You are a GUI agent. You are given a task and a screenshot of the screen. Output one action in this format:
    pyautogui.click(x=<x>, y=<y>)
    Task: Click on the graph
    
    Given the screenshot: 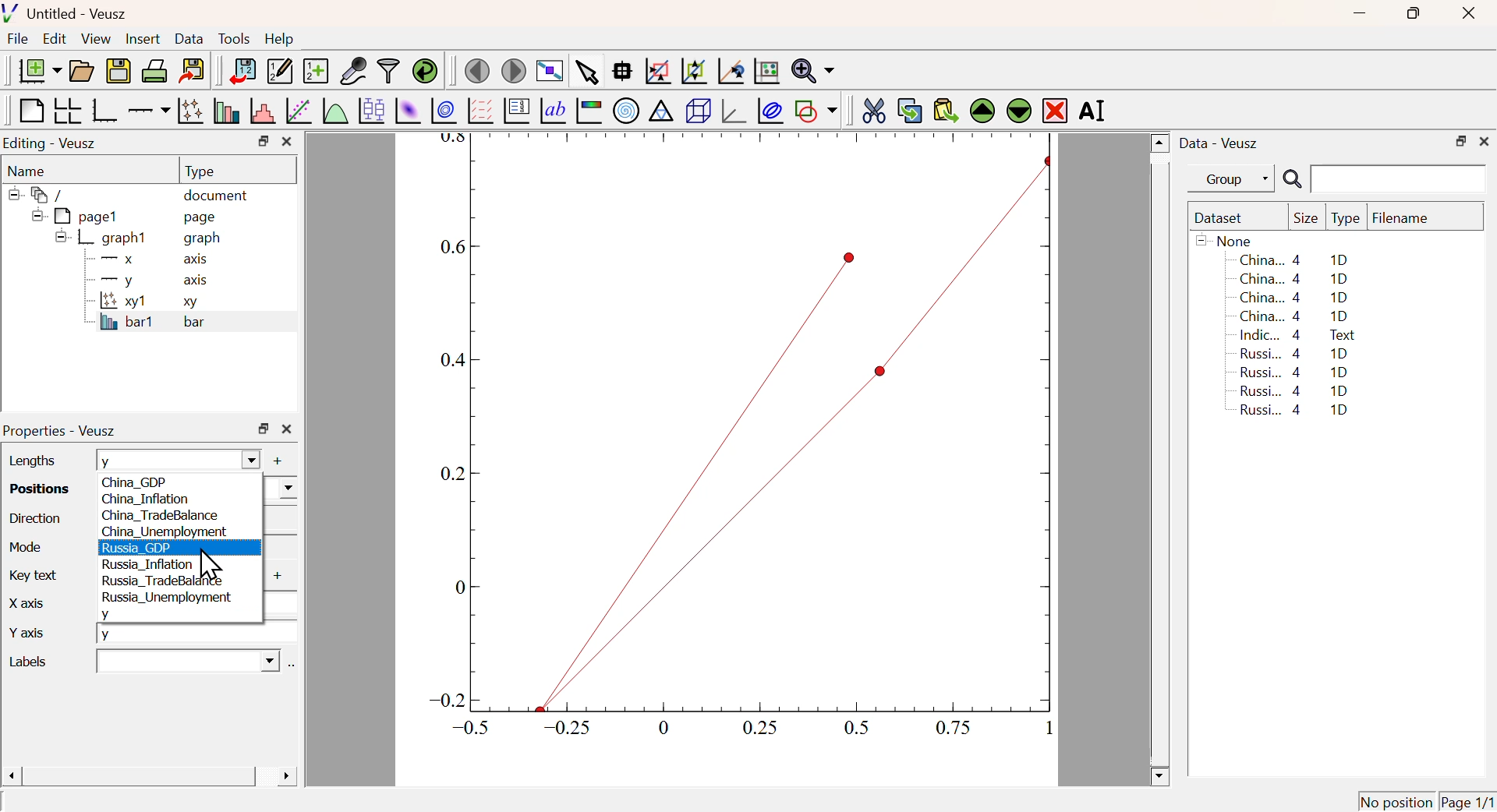 What is the action you would take?
    pyautogui.click(x=204, y=239)
    